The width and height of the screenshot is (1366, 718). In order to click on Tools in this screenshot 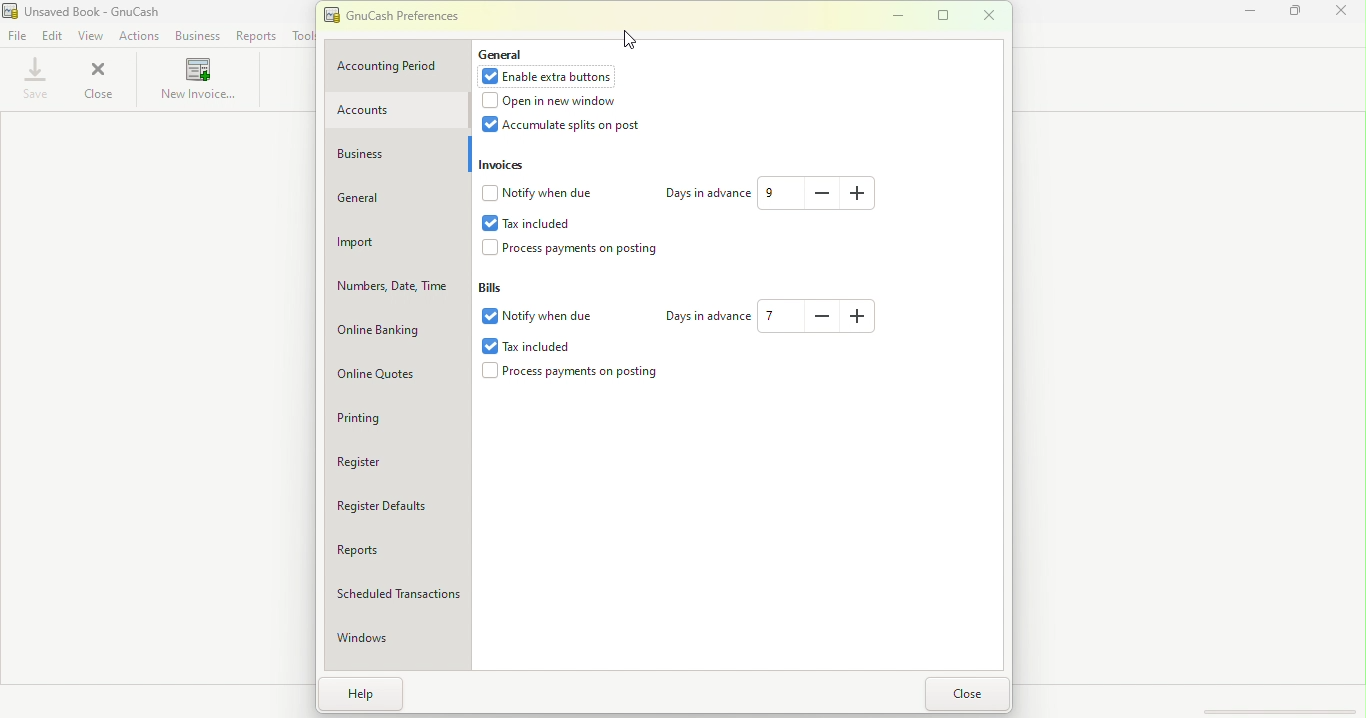, I will do `click(302, 34)`.